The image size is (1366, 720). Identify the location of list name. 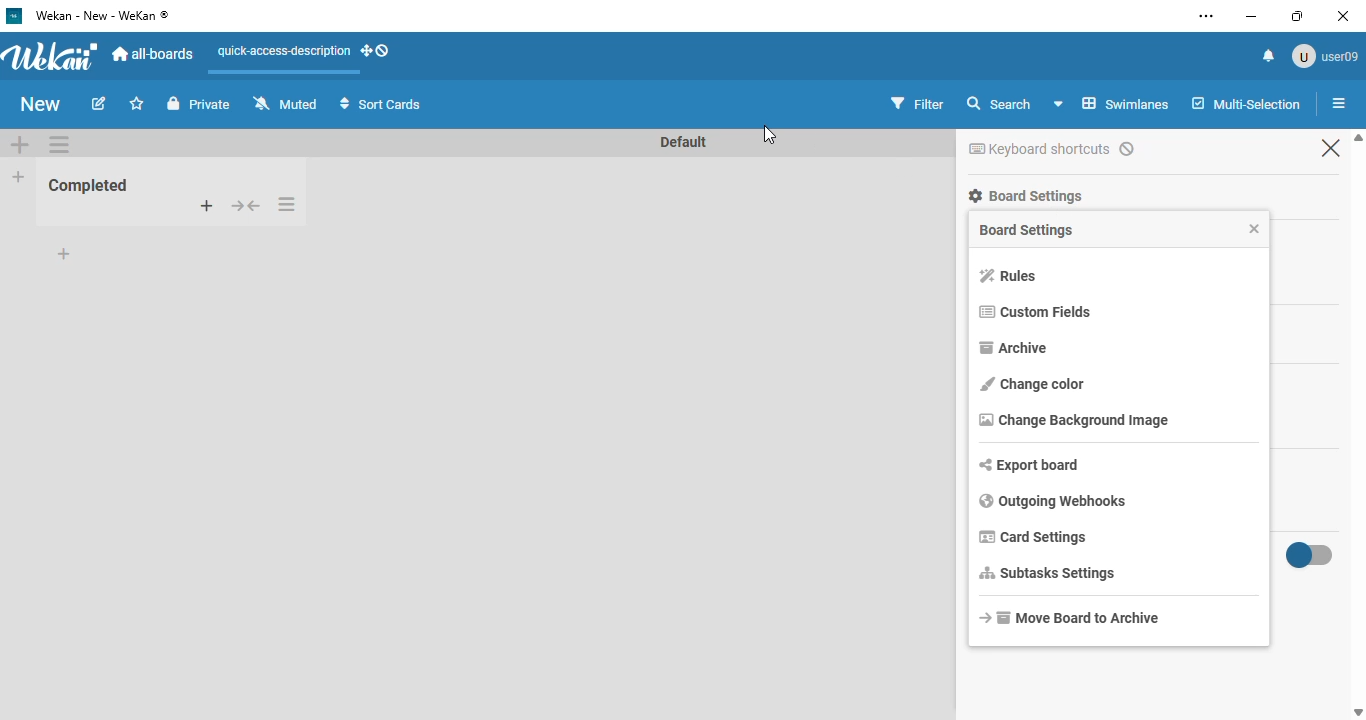
(90, 185).